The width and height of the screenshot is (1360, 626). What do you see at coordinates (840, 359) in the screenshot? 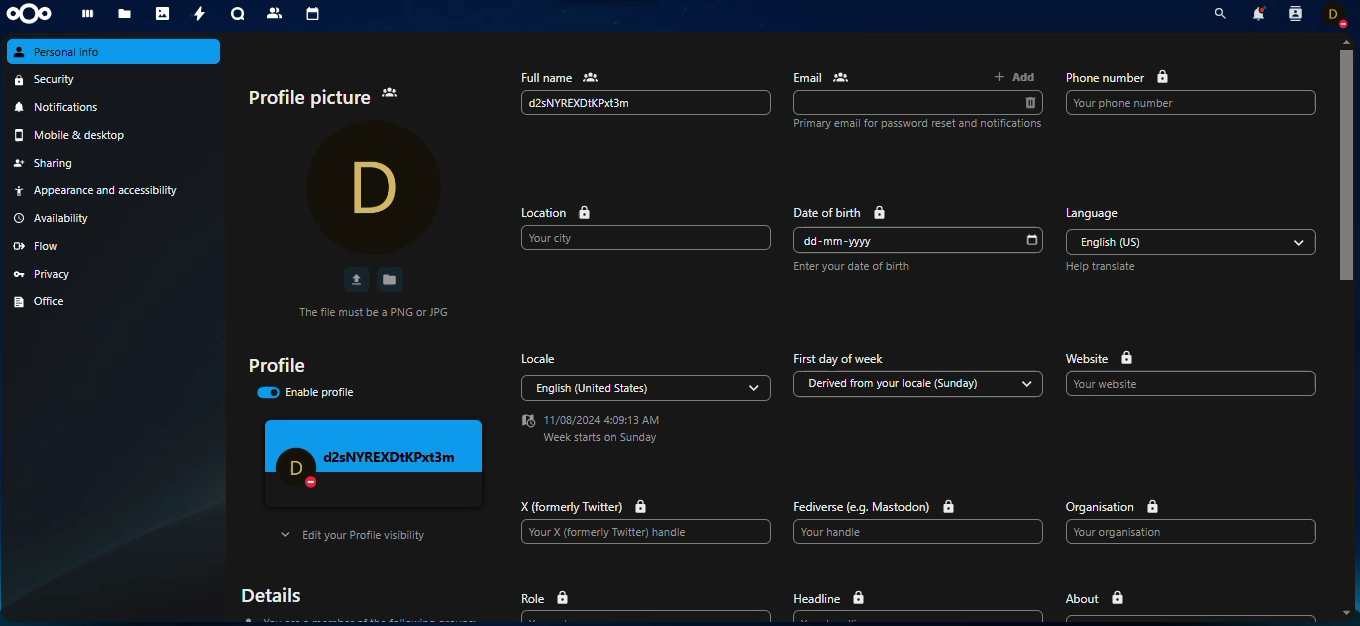
I see `First day of week` at bounding box center [840, 359].